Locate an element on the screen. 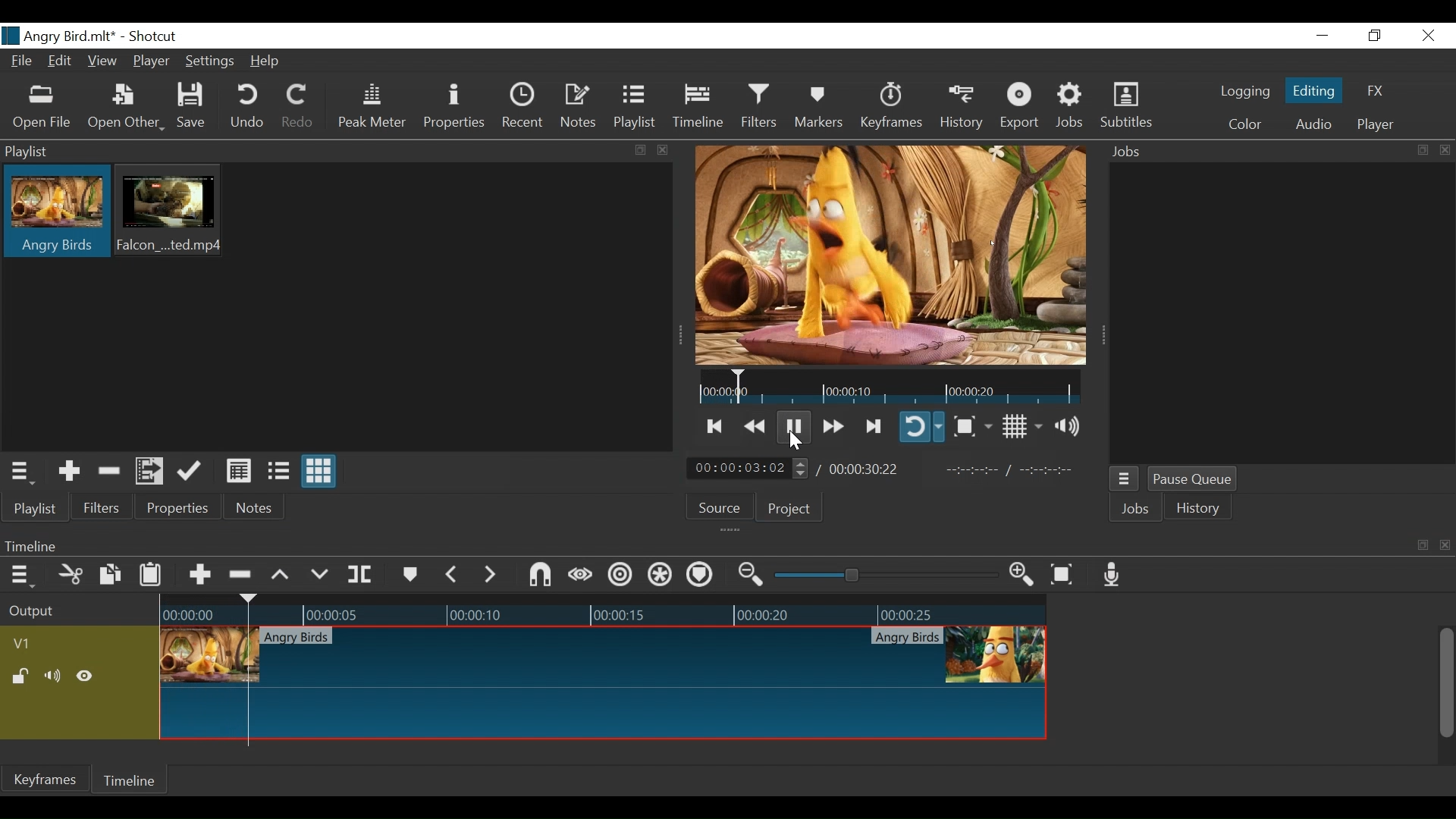 This screenshot has width=1456, height=819. Split at playhead is located at coordinates (366, 575).